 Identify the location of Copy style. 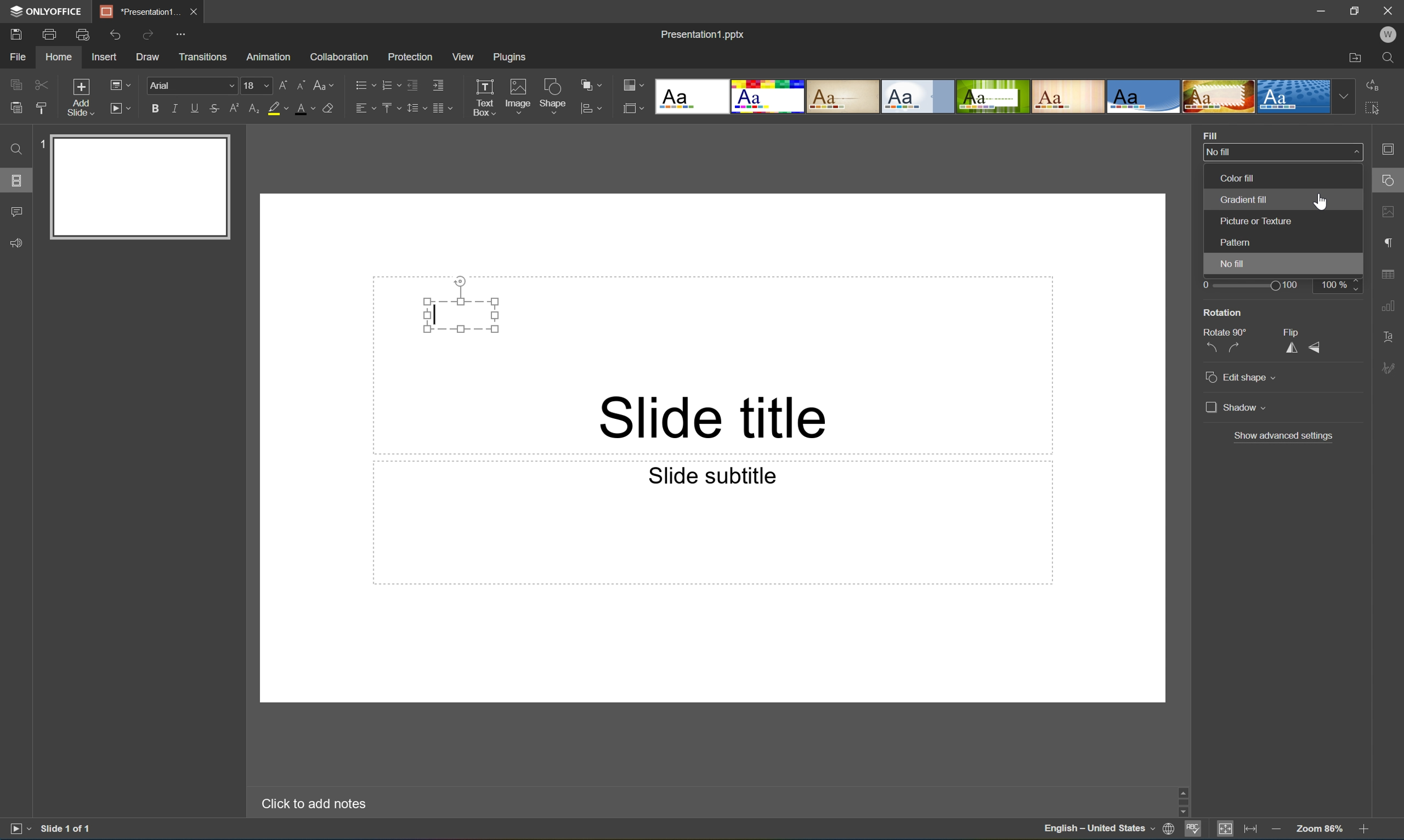
(41, 108).